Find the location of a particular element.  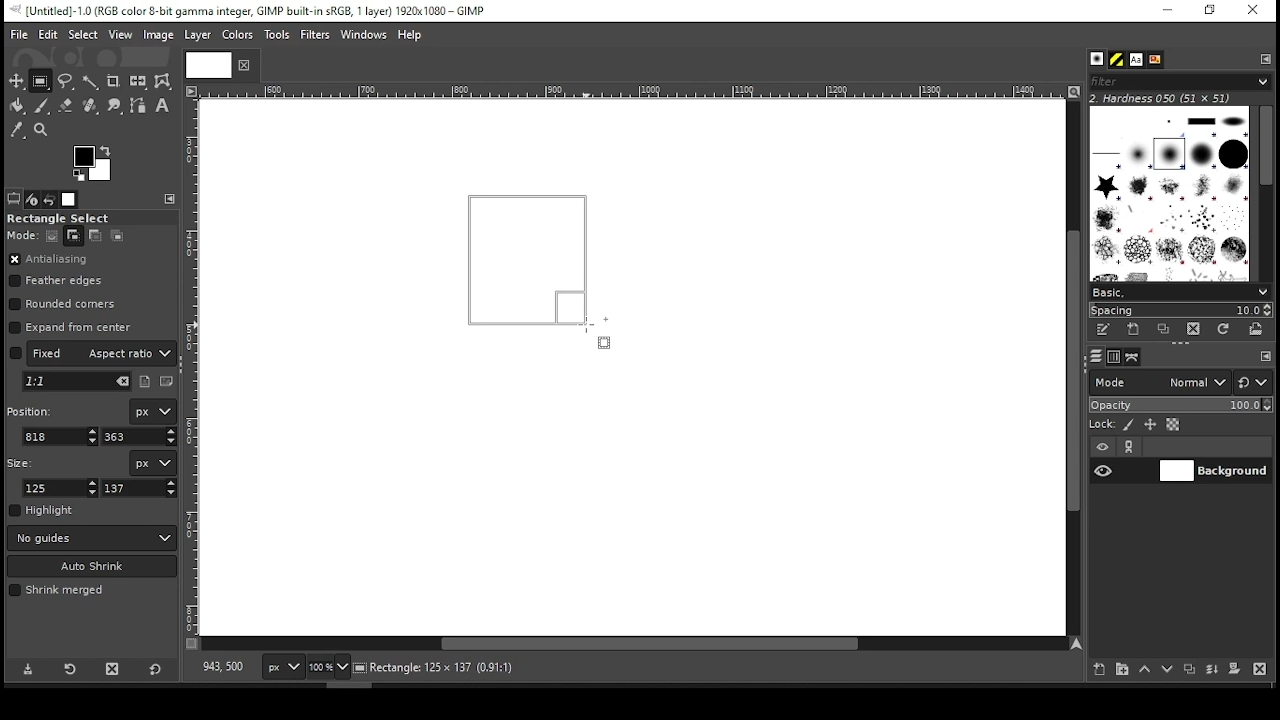

refresh brushes is located at coordinates (1222, 331).